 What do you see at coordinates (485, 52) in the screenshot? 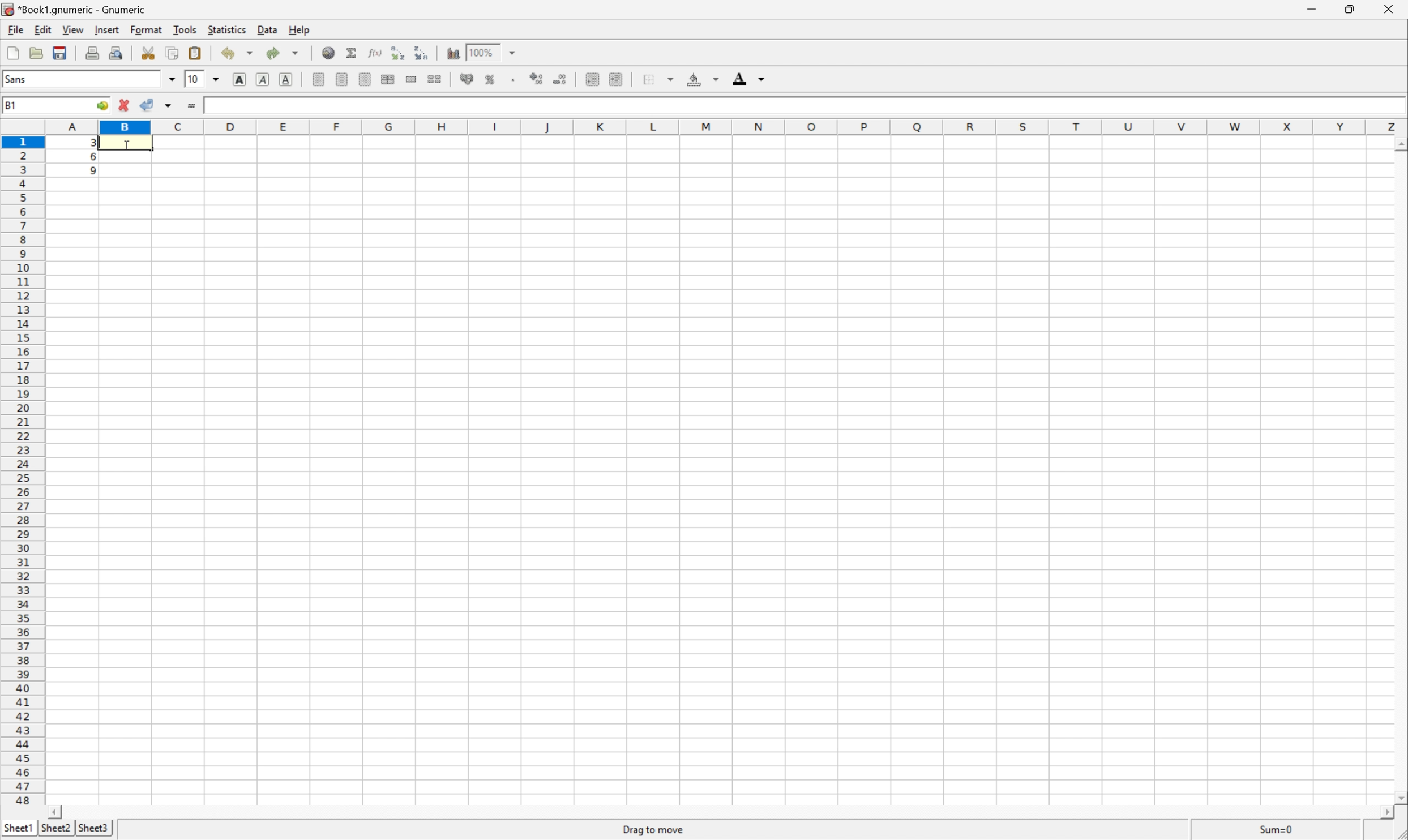
I see `100%` at bounding box center [485, 52].